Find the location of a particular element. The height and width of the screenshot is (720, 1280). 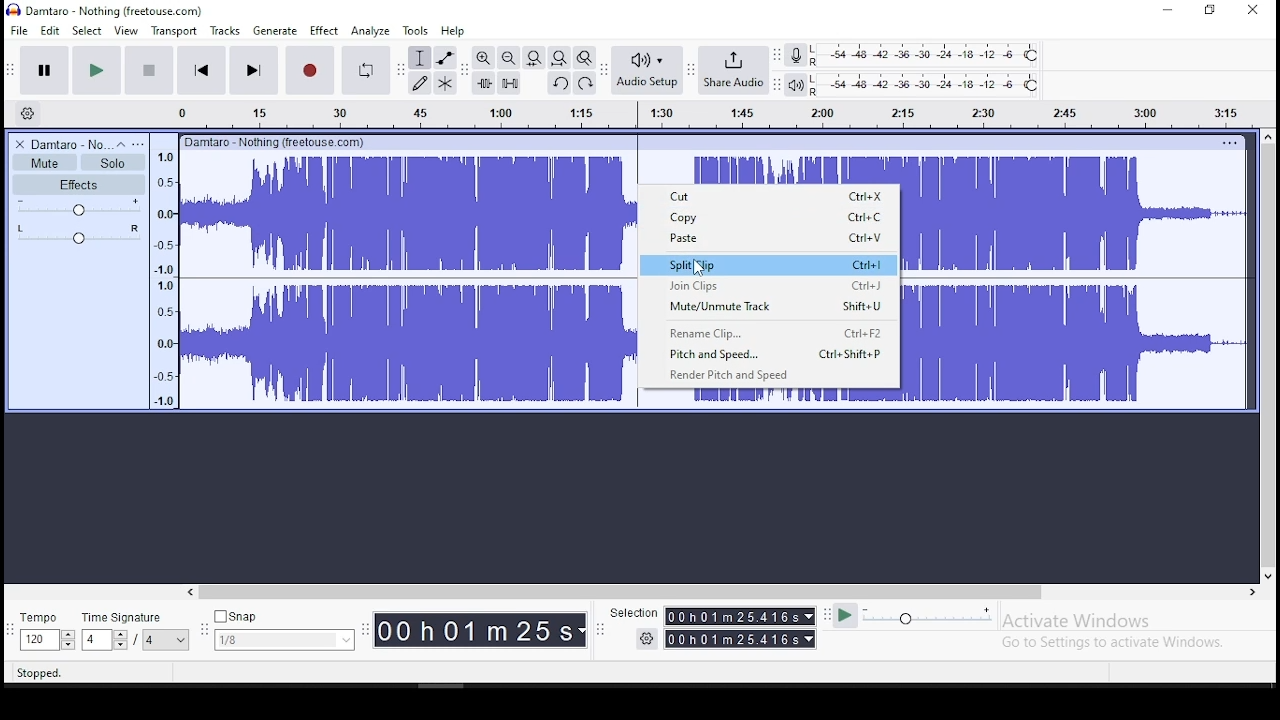

delete track is located at coordinates (20, 143).